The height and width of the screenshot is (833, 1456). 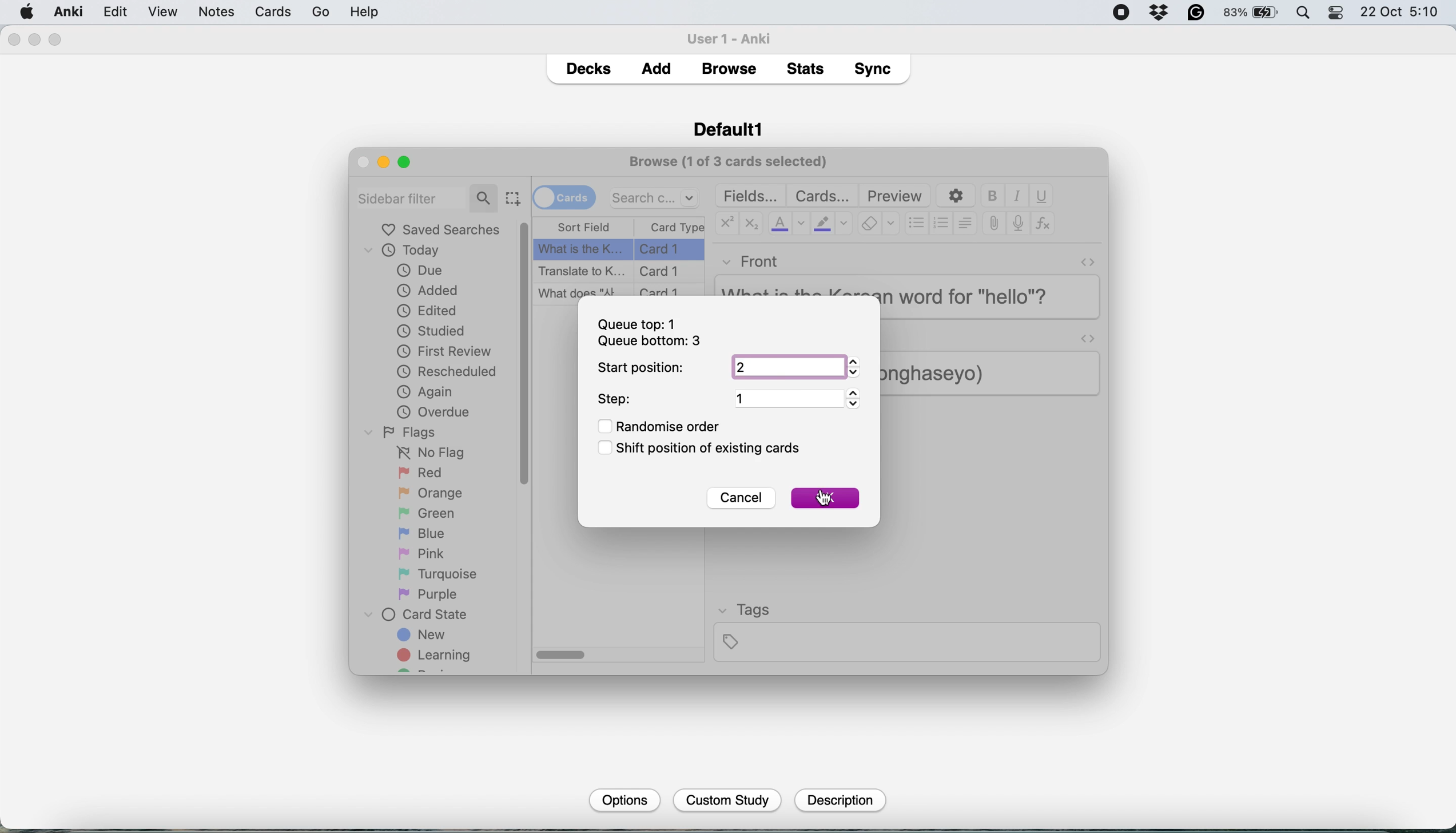 What do you see at coordinates (13, 40) in the screenshot?
I see `close` at bounding box center [13, 40].